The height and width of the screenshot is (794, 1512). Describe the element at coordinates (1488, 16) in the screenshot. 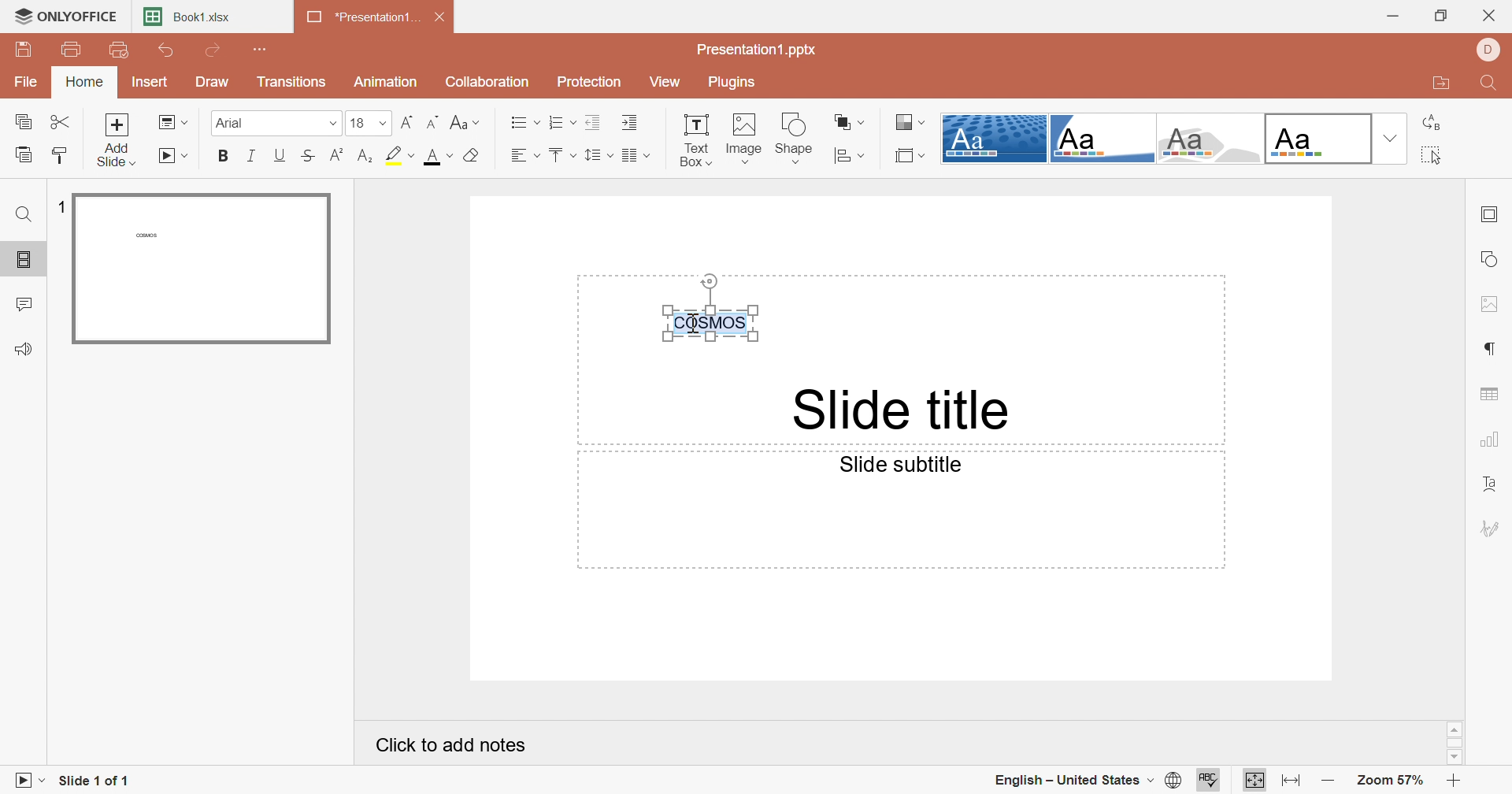

I see `Close` at that location.